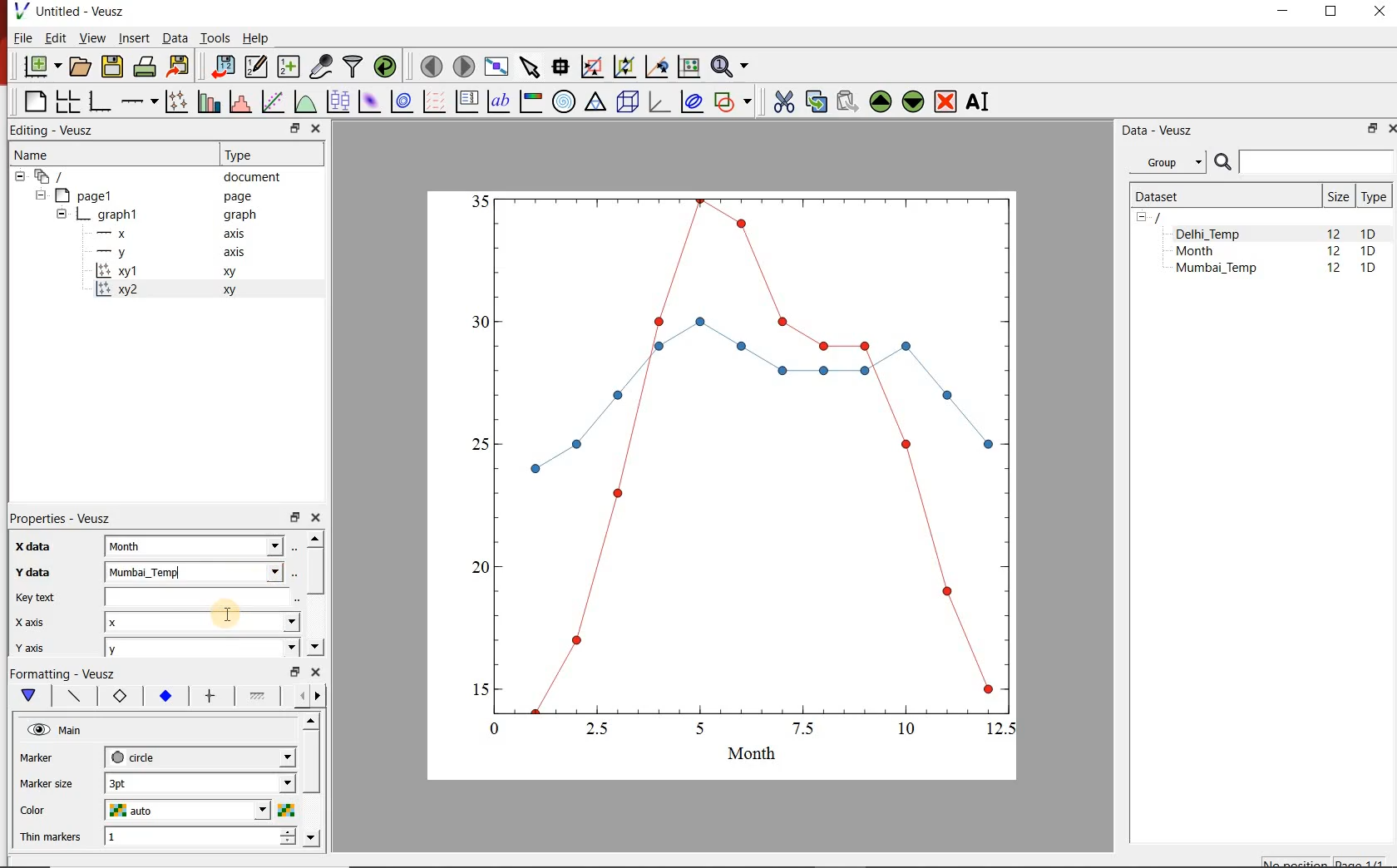 The height and width of the screenshot is (868, 1397). What do you see at coordinates (164, 234) in the screenshot?
I see `-x axis` at bounding box center [164, 234].